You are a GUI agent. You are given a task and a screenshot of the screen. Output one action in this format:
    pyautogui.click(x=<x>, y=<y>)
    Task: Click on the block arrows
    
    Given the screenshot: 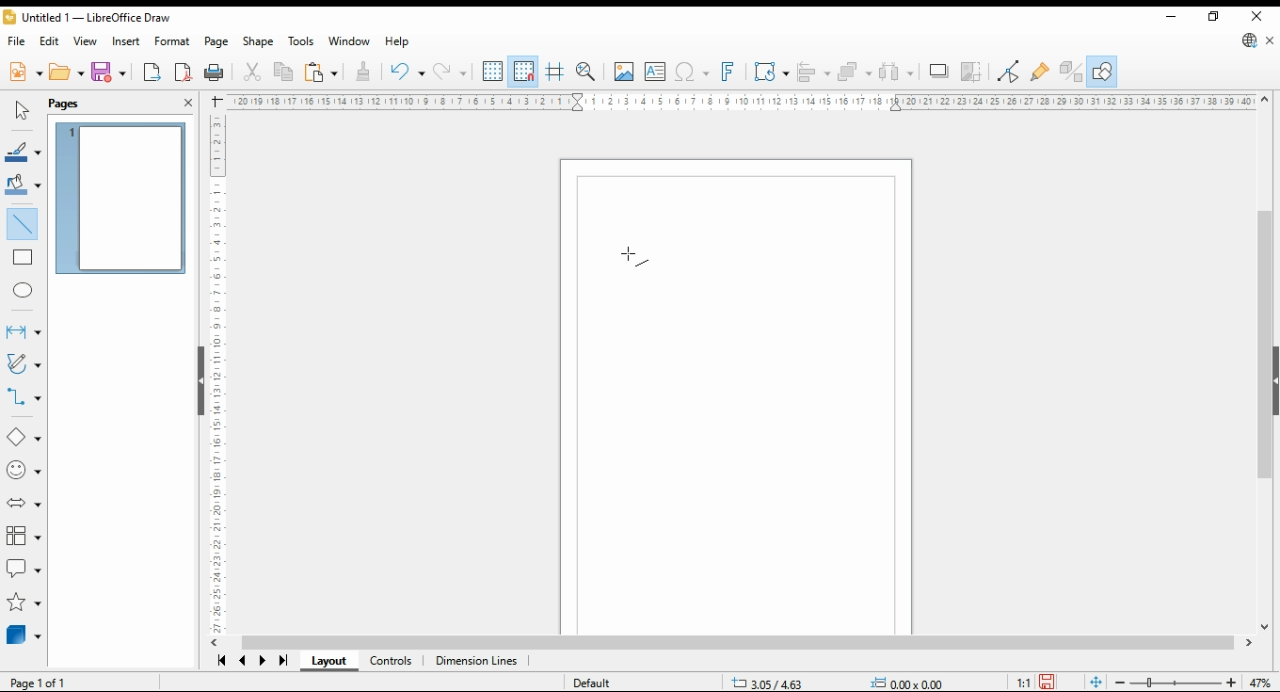 What is the action you would take?
    pyautogui.click(x=24, y=503)
    